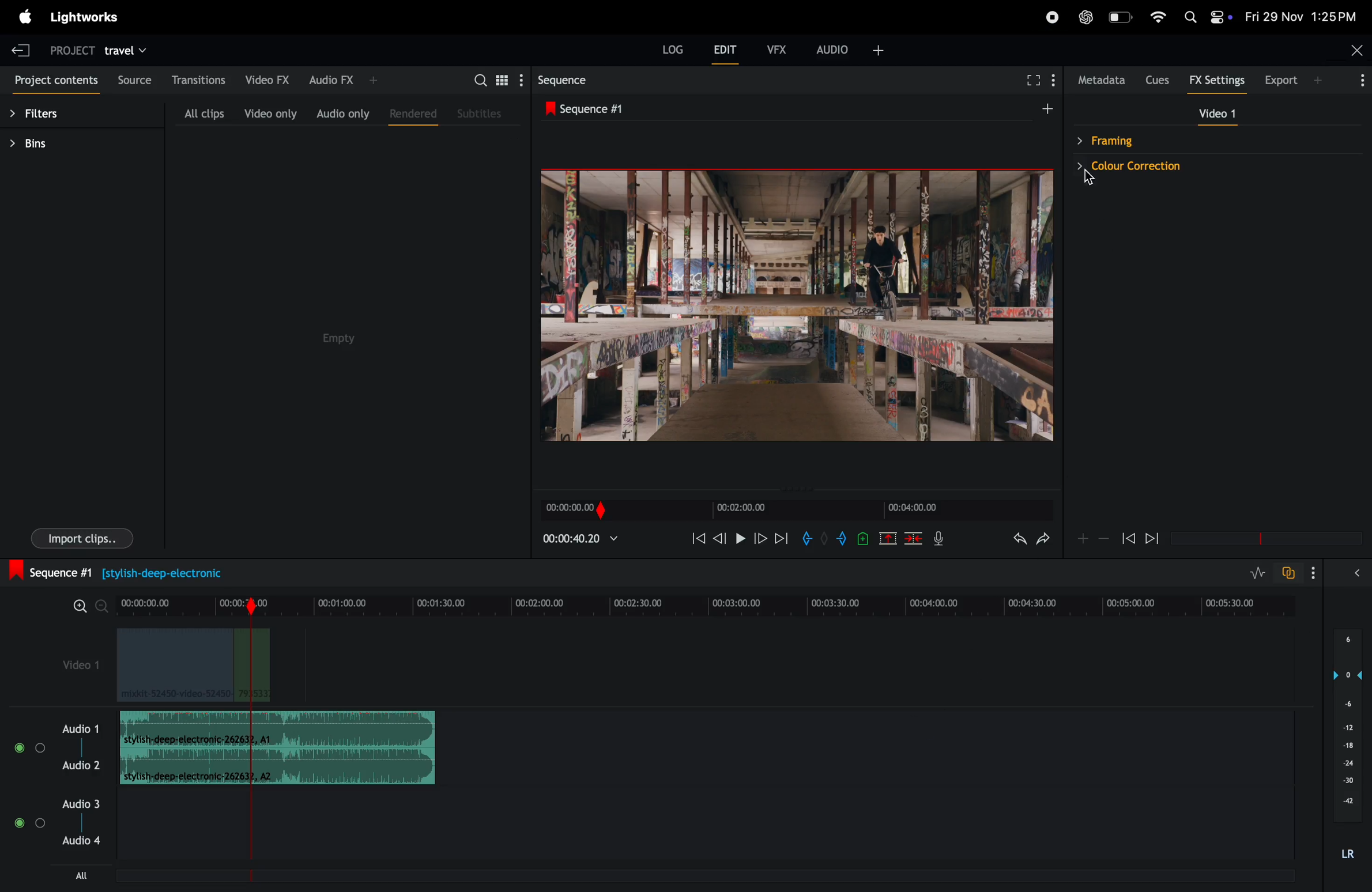 This screenshot has height=892, width=1372. What do you see at coordinates (83, 842) in the screenshot?
I see `Audio 4` at bounding box center [83, 842].